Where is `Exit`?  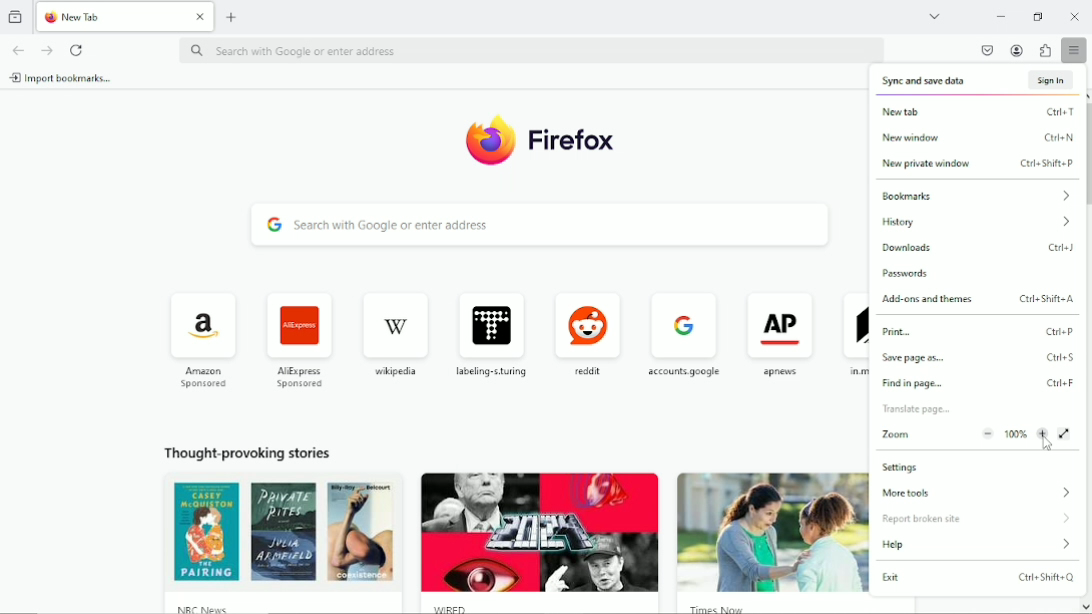 Exit is located at coordinates (981, 579).